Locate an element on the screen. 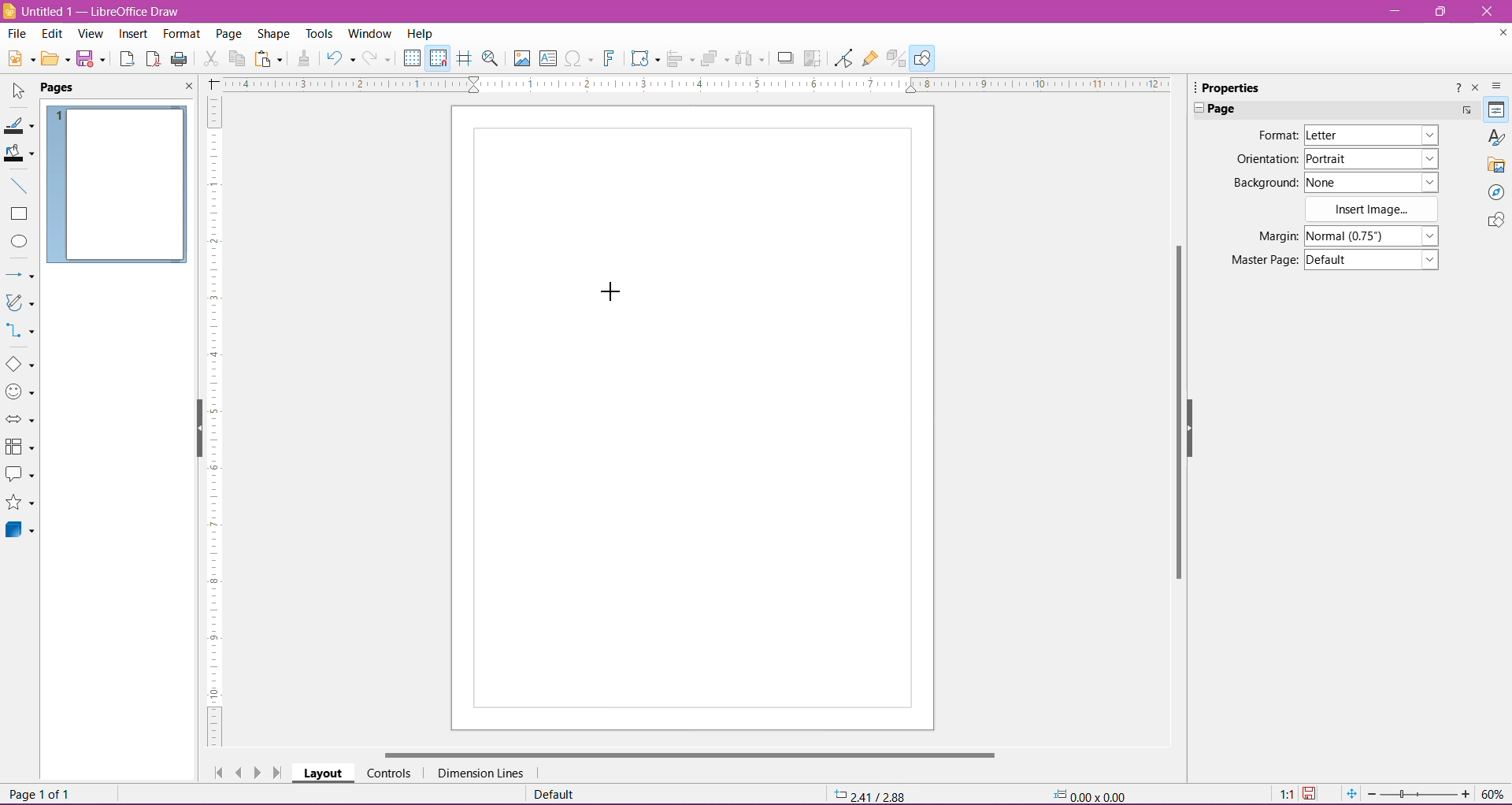 The image size is (1512, 805). Select page orientation is located at coordinates (1374, 158).